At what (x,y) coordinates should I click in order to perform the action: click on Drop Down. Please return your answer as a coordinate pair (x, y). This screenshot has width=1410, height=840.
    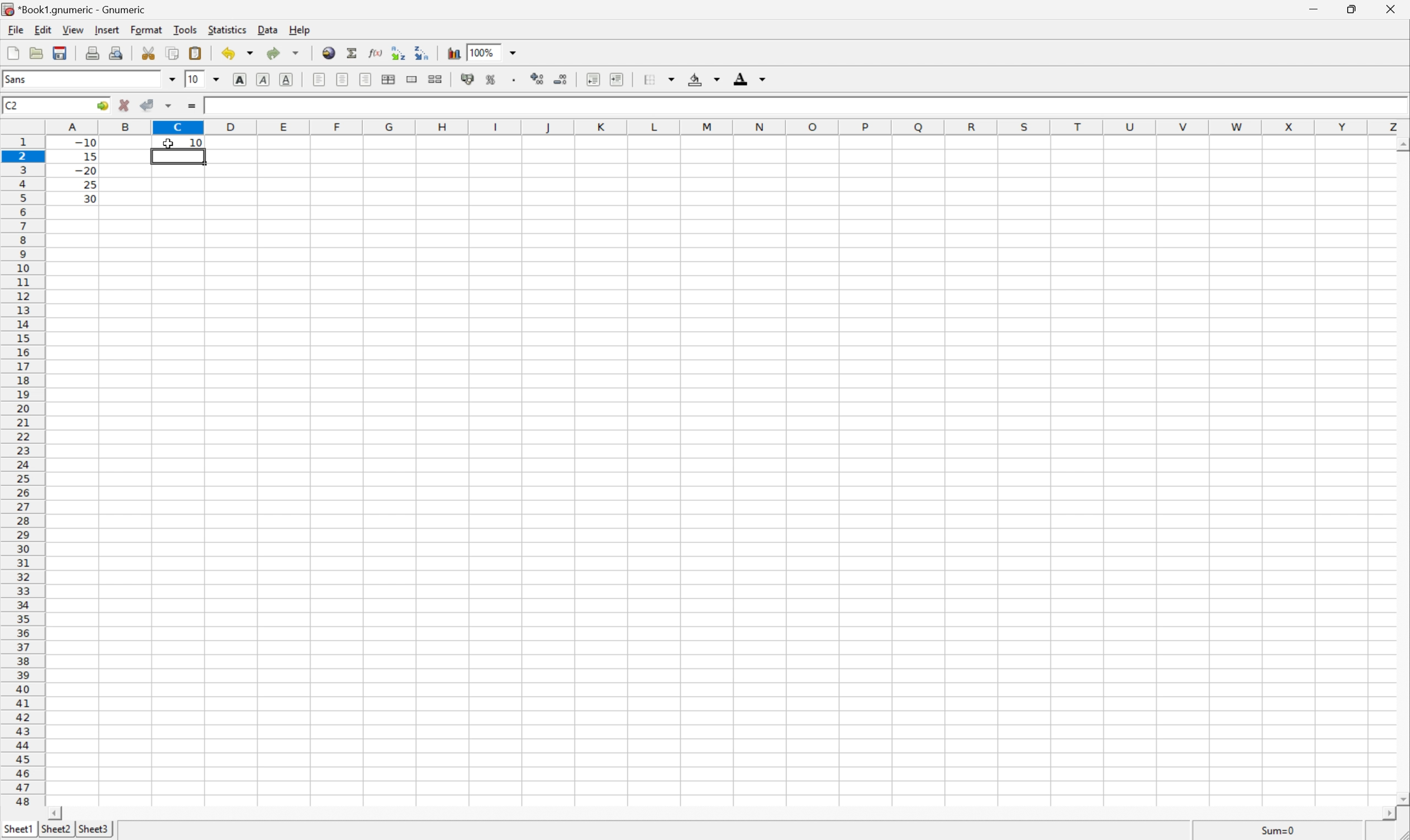
    Looking at the image, I should click on (516, 52).